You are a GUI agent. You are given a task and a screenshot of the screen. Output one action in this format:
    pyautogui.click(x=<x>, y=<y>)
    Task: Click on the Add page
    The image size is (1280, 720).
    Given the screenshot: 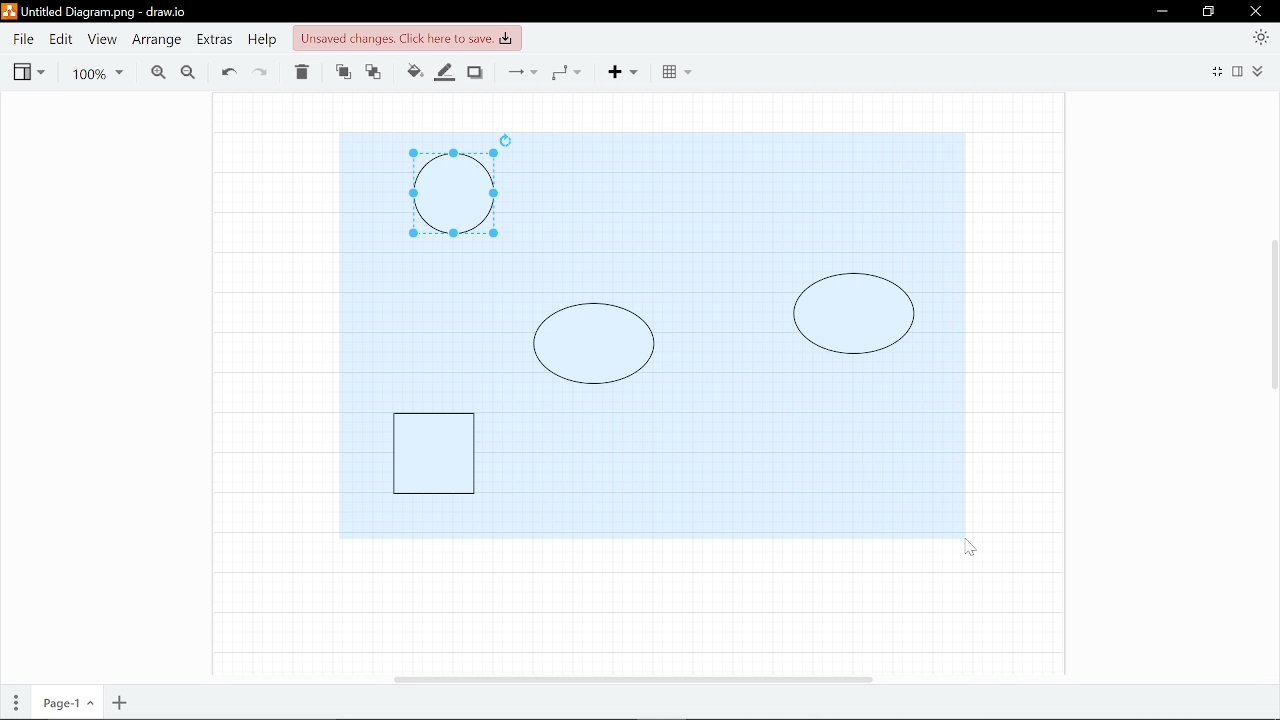 What is the action you would take?
    pyautogui.click(x=121, y=703)
    